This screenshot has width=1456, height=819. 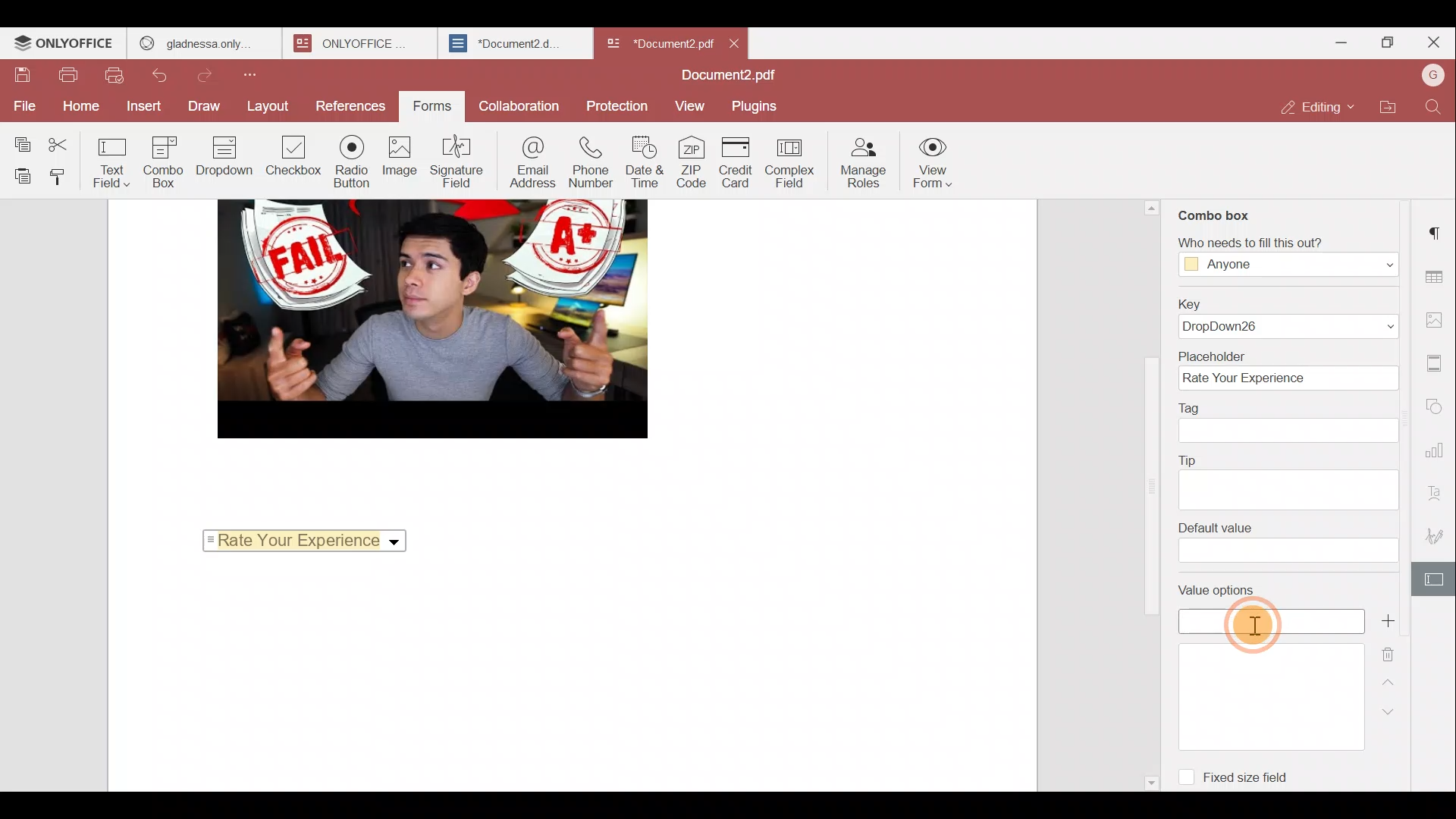 I want to click on gladnessa only., so click(x=196, y=41).